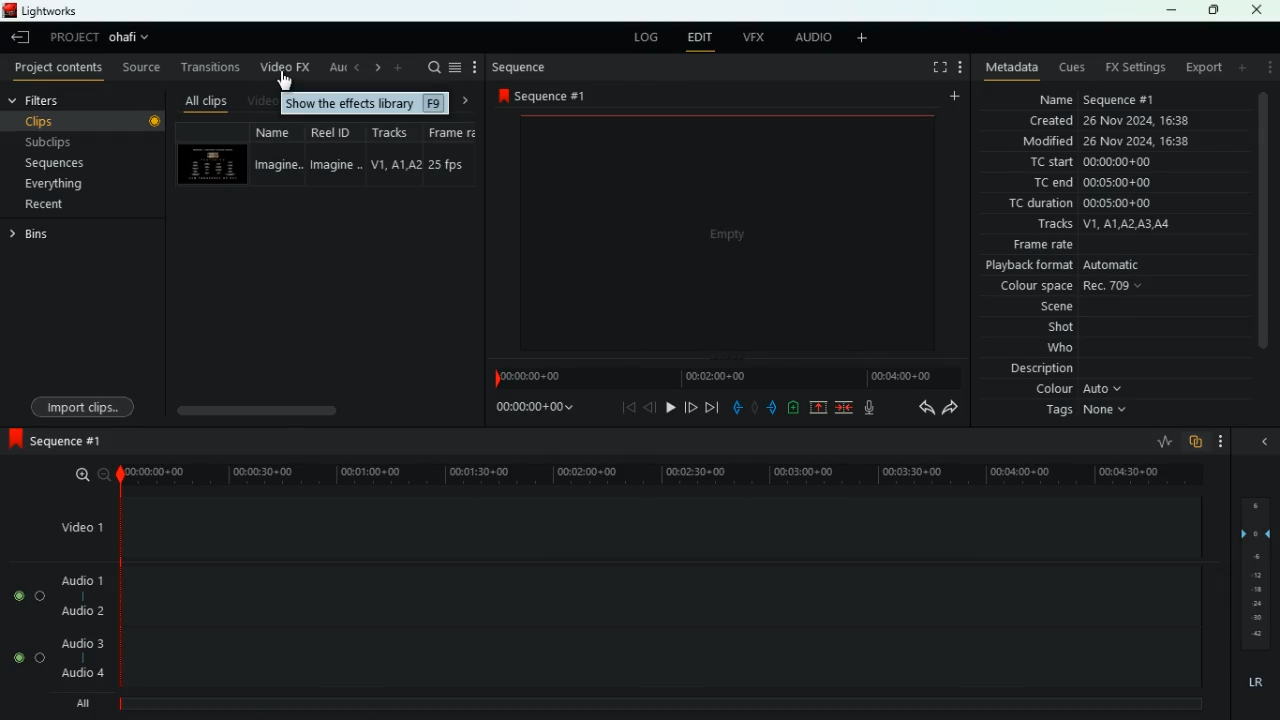  Describe the element at coordinates (1034, 308) in the screenshot. I see `scene` at that location.